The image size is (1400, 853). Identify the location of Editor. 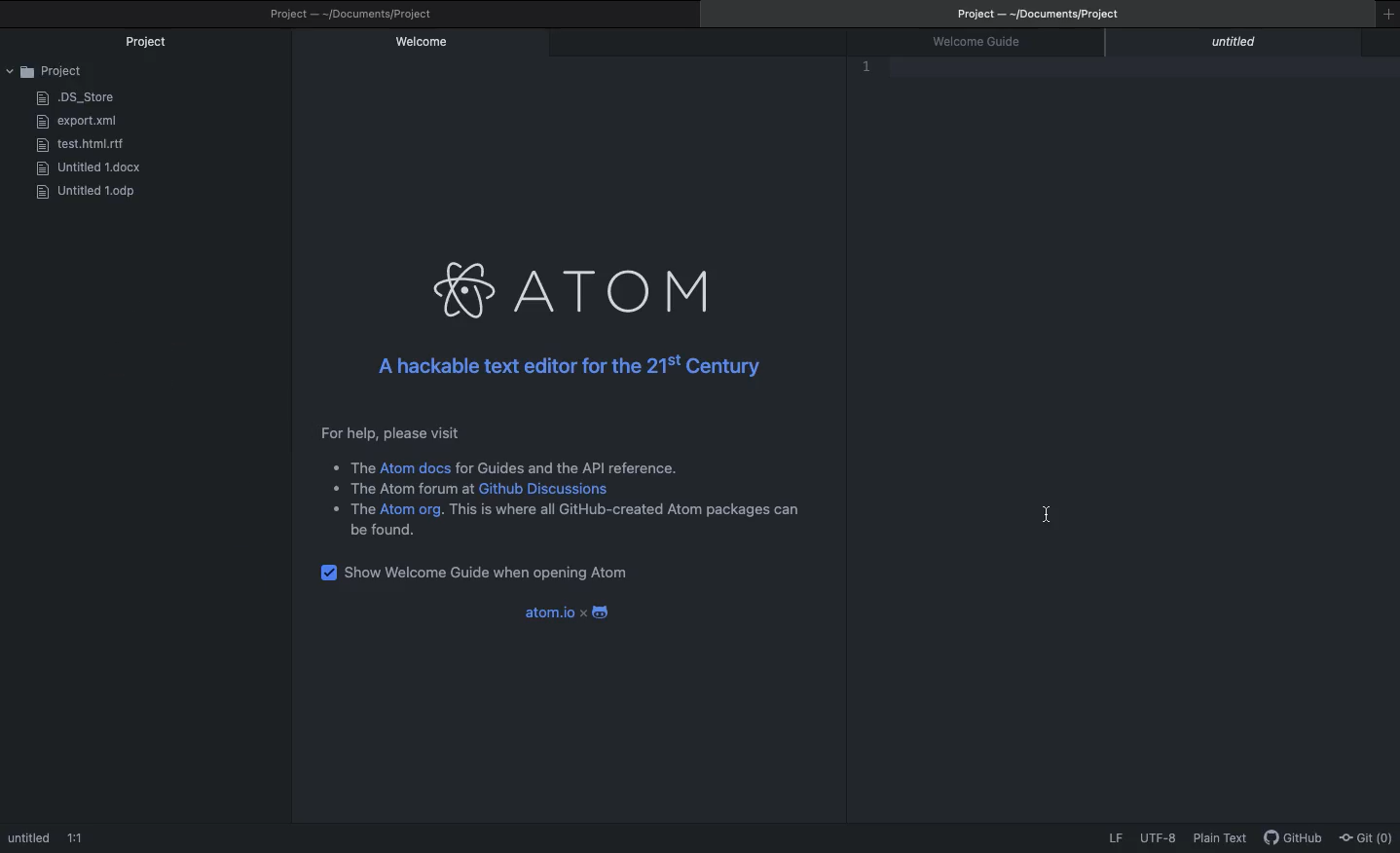
(894, 71).